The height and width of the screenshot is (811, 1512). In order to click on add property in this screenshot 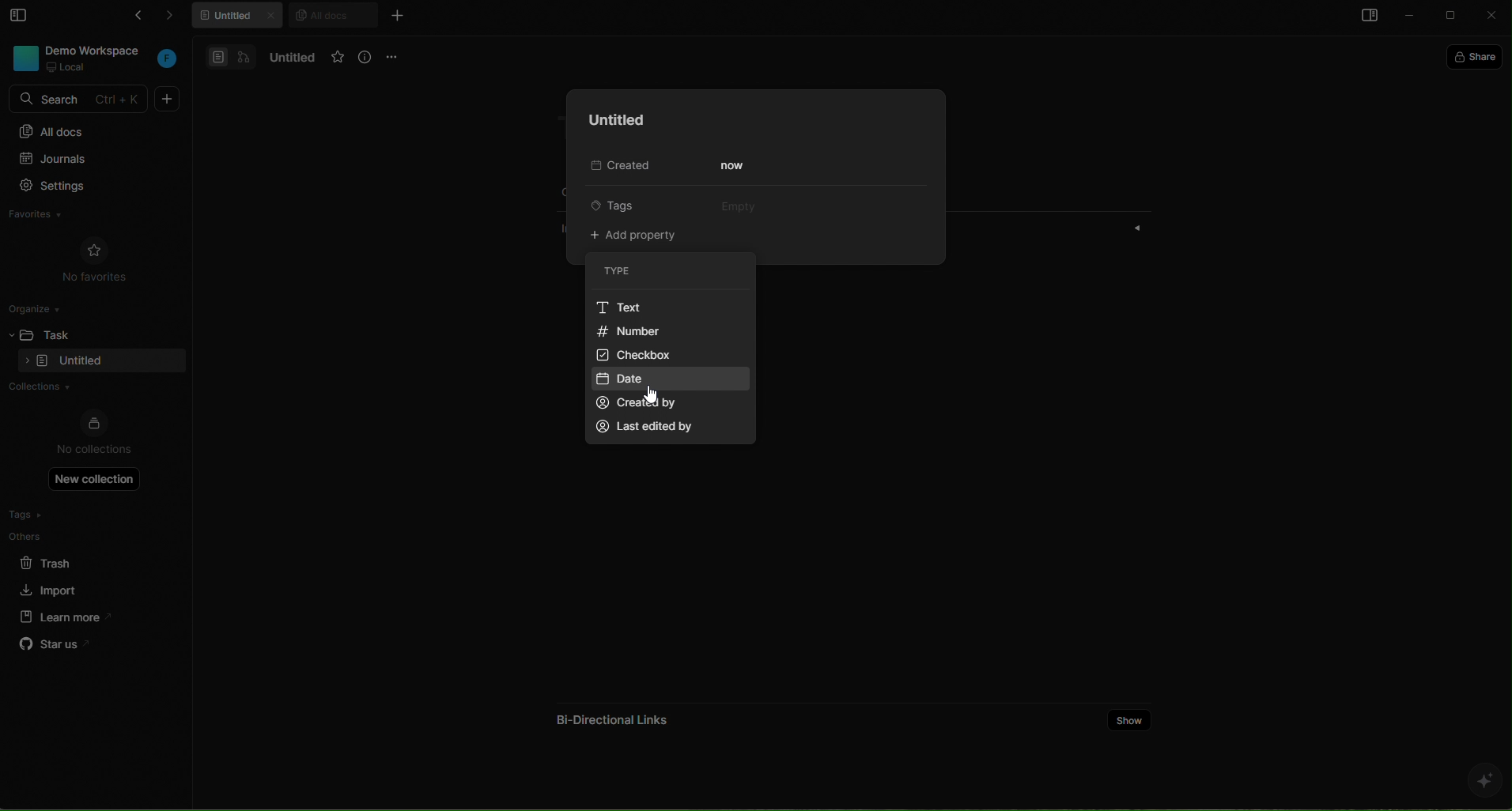, I will do `click(637, 236)`.